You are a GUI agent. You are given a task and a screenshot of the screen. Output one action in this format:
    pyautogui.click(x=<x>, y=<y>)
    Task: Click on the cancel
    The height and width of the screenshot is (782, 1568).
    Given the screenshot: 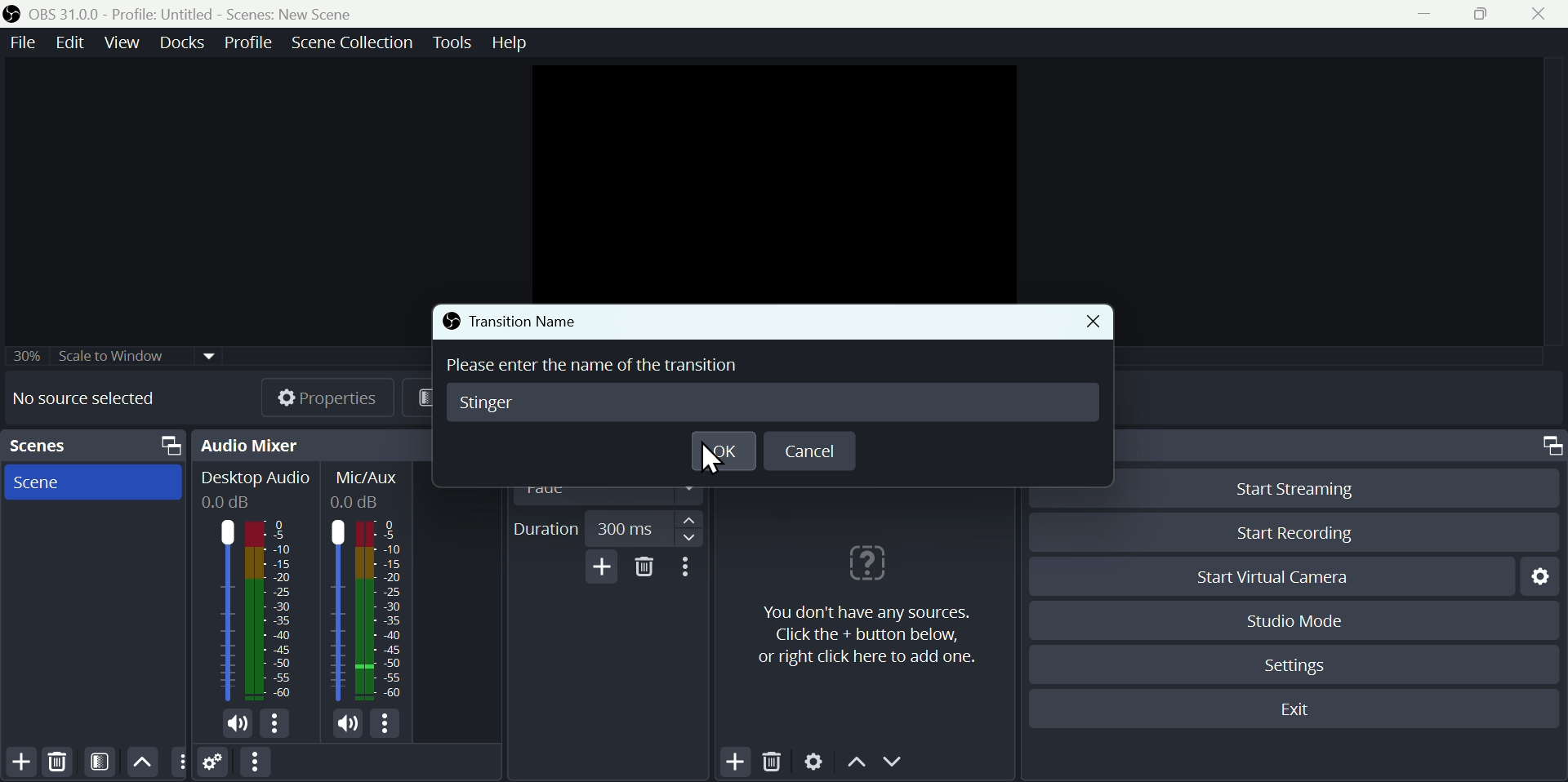 What is the action you would take?
    pyautogui.click(x=816, y=451)
    